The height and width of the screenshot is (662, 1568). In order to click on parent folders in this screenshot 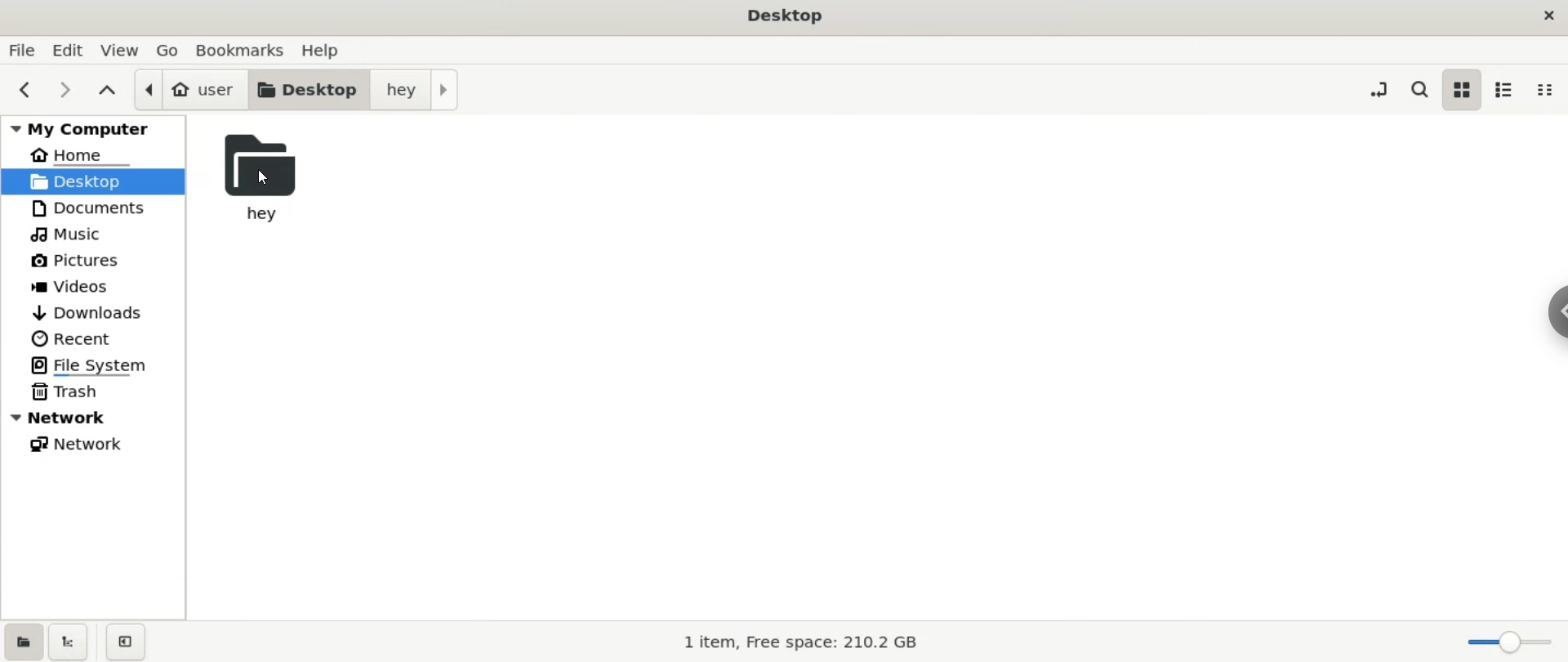, I will do `click(106, 92)`.